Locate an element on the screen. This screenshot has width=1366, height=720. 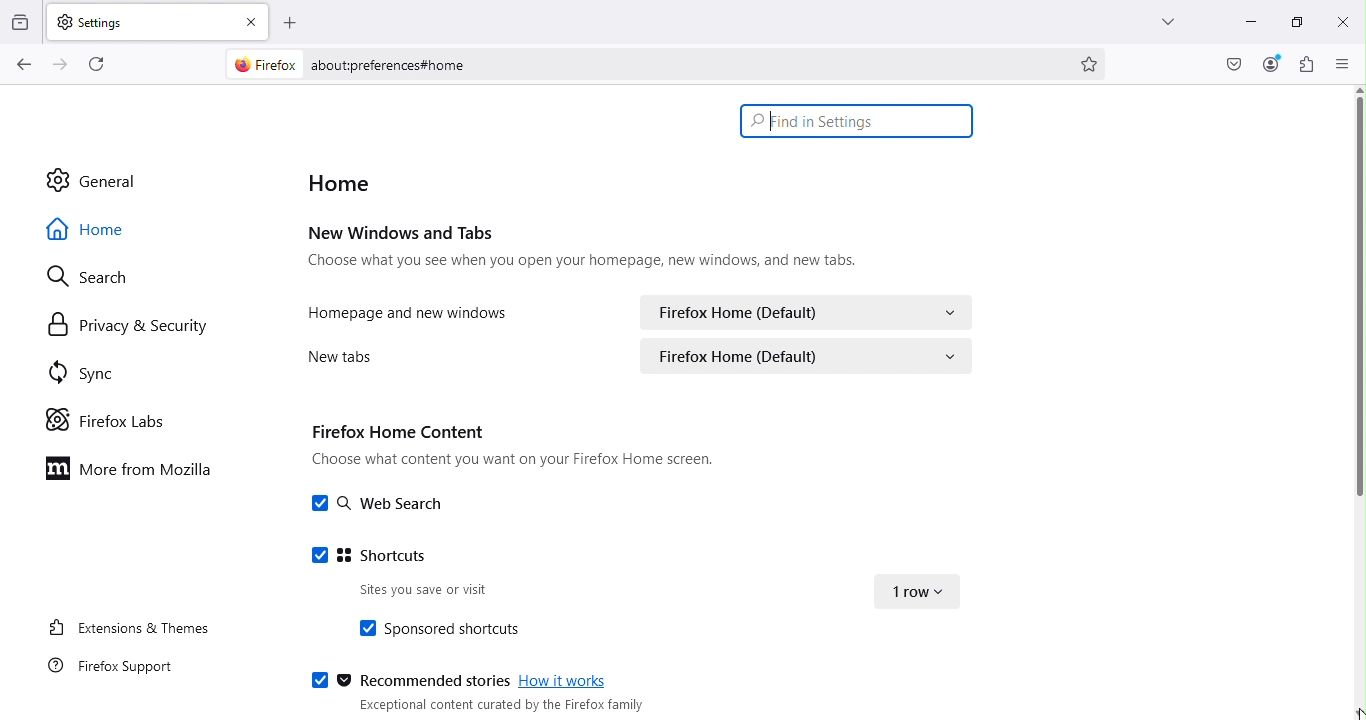
Go back one page is located at coordinates (22, 65).